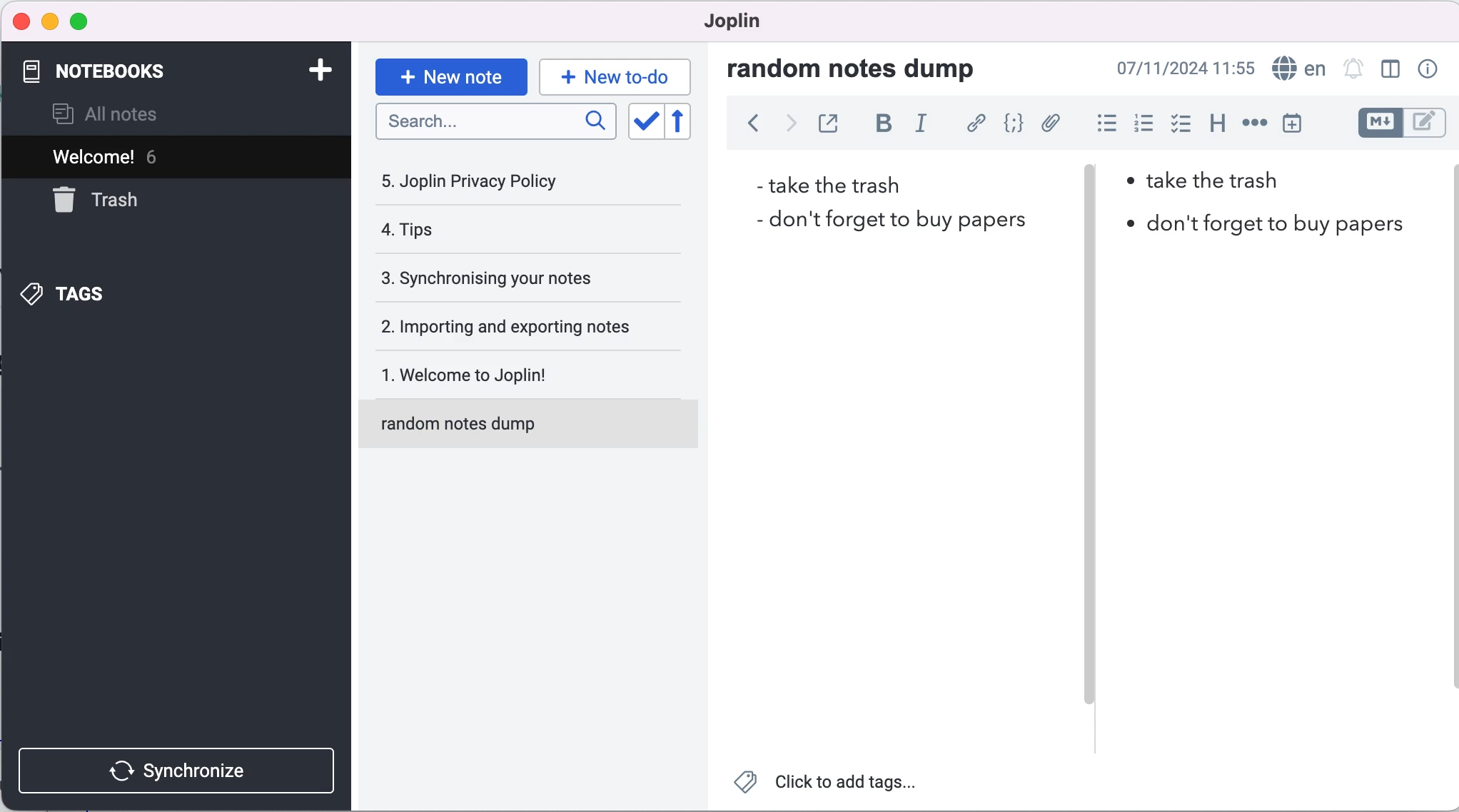 Image resolution: width=1459 pixels, height=812 pixels. Describe the element at coordinates (1400, 125) in the screenshot. I see `toggle editors` at that location.